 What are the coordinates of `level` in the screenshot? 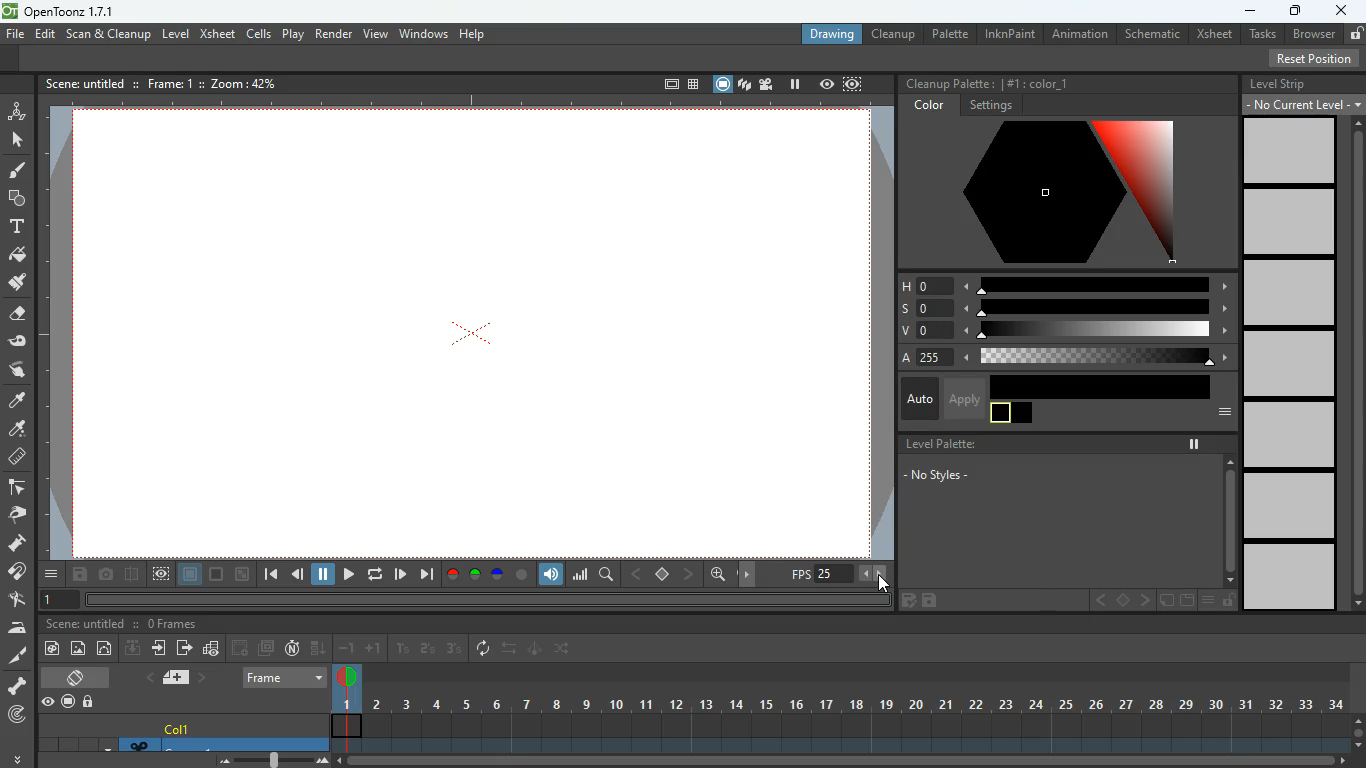 It's located at (1291, 222).